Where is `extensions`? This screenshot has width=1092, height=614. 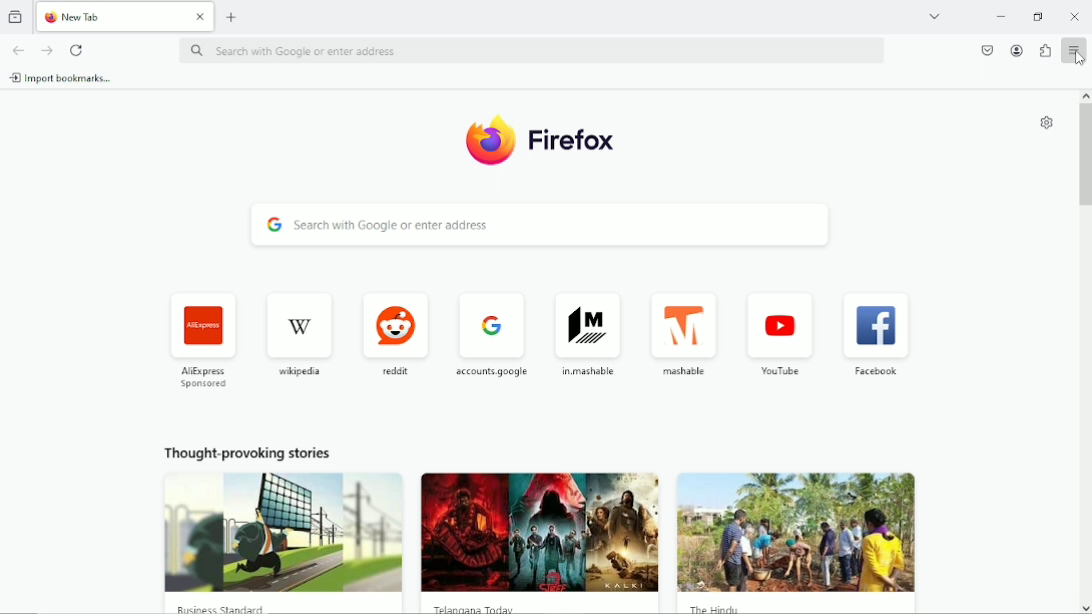 extensions is located at coordinates (1045, 51).